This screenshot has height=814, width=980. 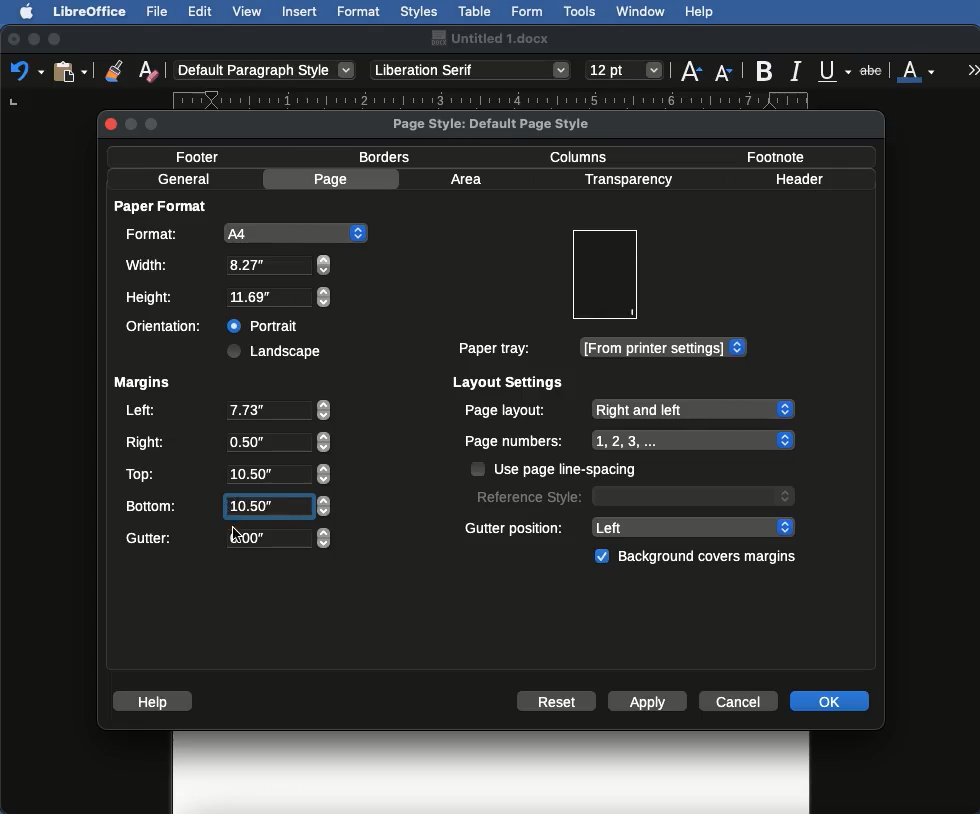 I want to click on More, so click(x=974, y=69).